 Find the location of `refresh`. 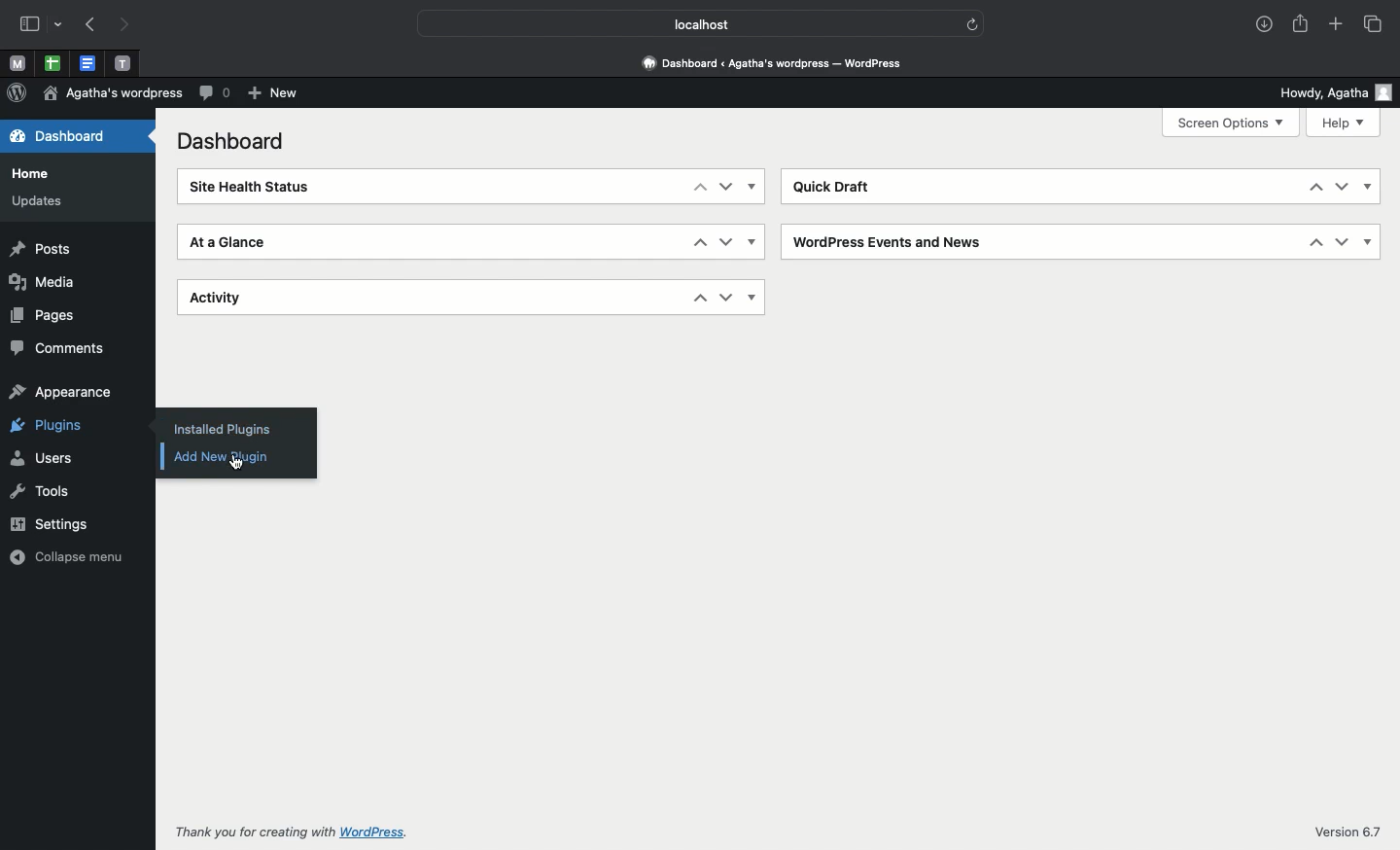

refresh is located at coordinates (977, 23).